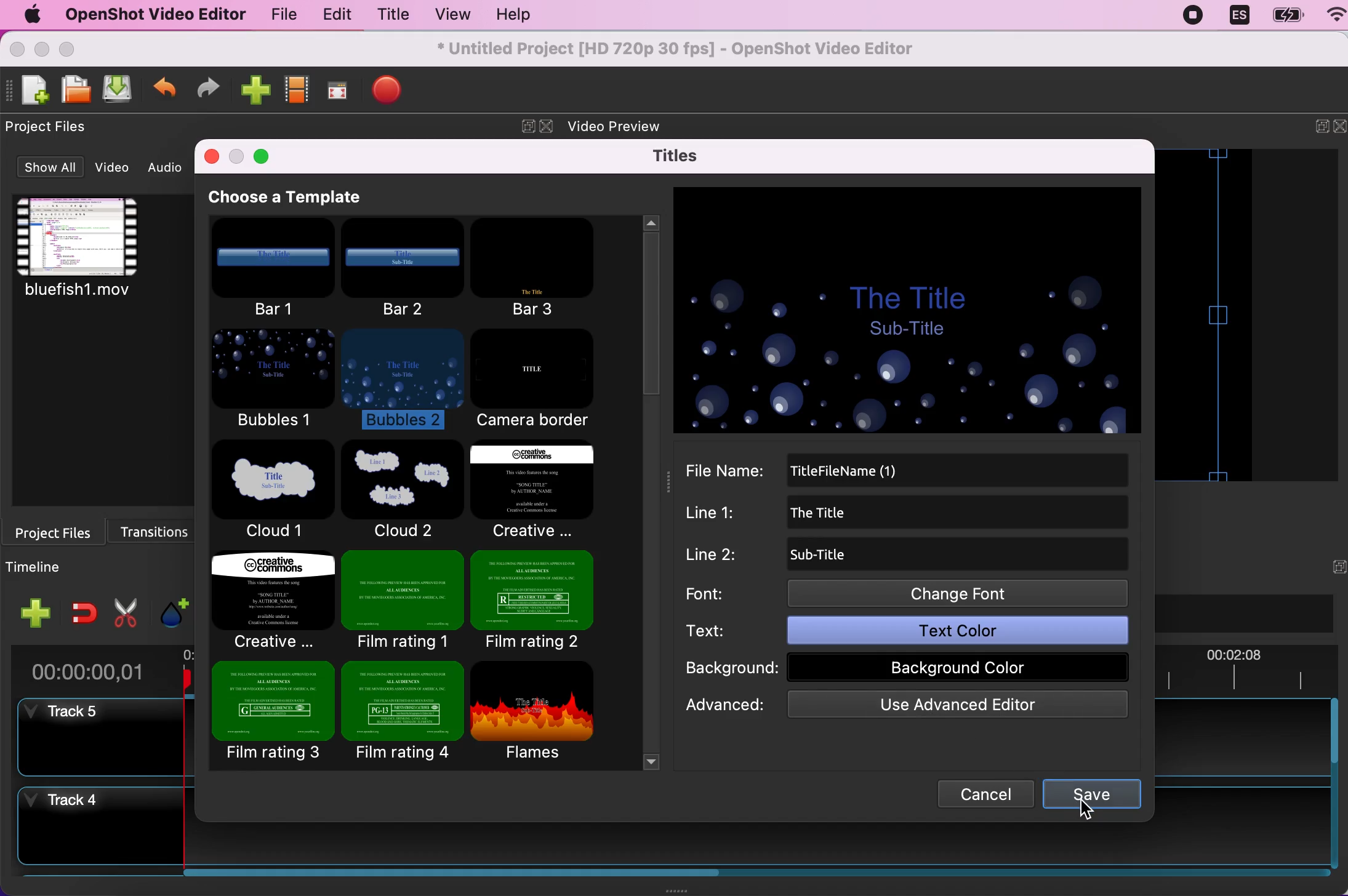  I want to click on camera border, so click(542, 380).